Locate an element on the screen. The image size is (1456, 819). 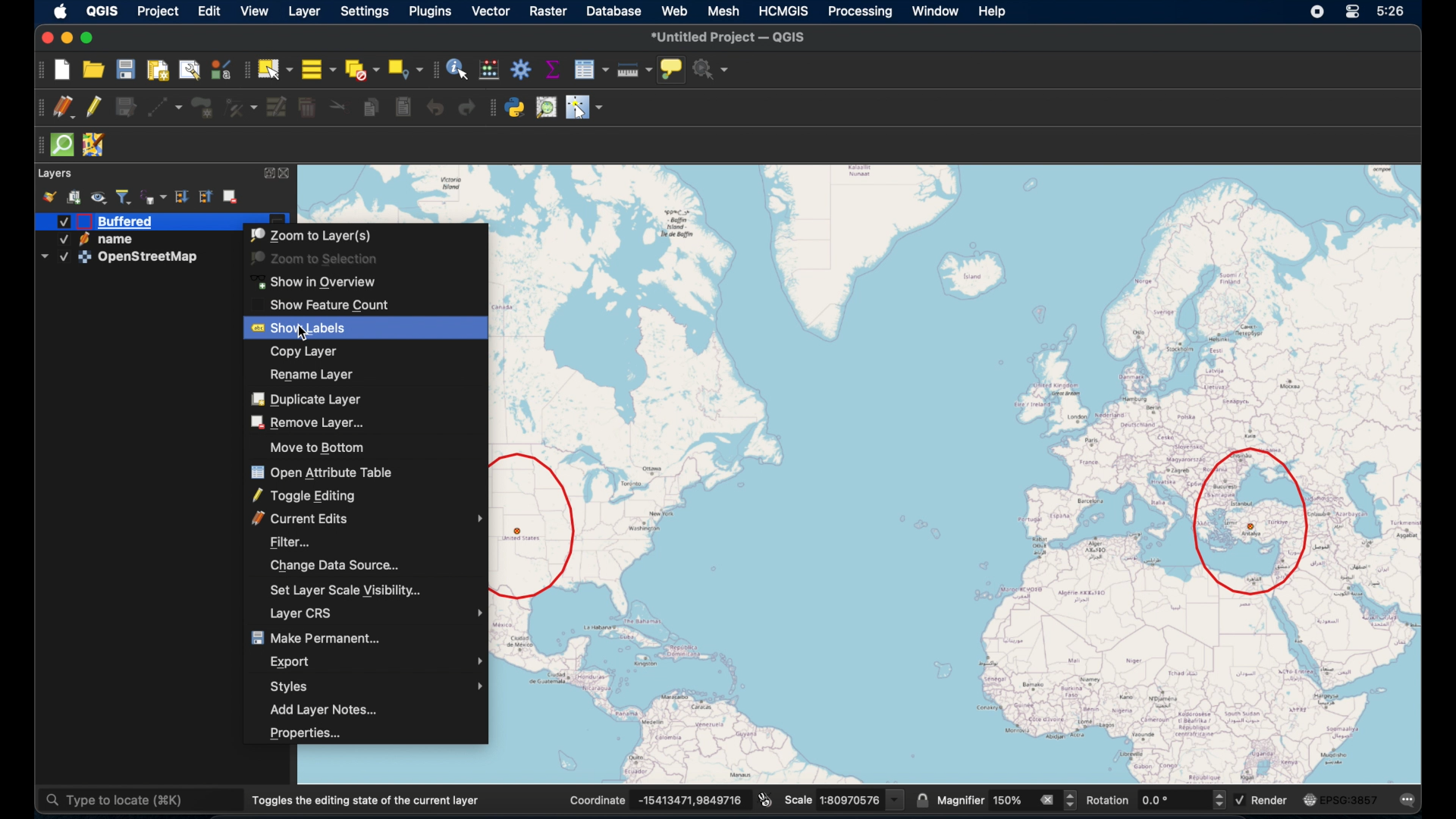
layer crs is located at coordinates (376, 614).